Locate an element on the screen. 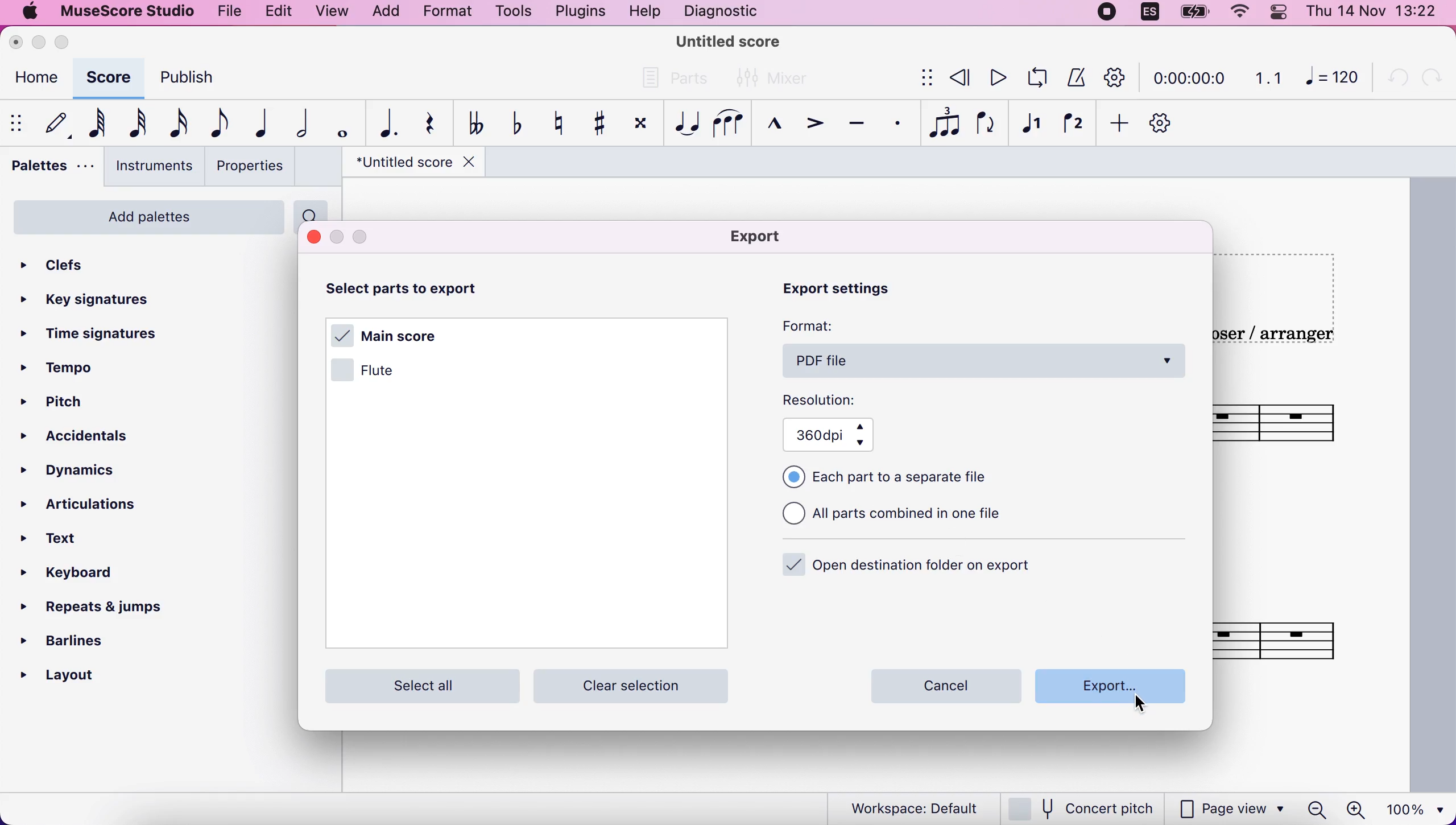 The image size is (1456, 825). undo is located at coordinates (1398, 80).